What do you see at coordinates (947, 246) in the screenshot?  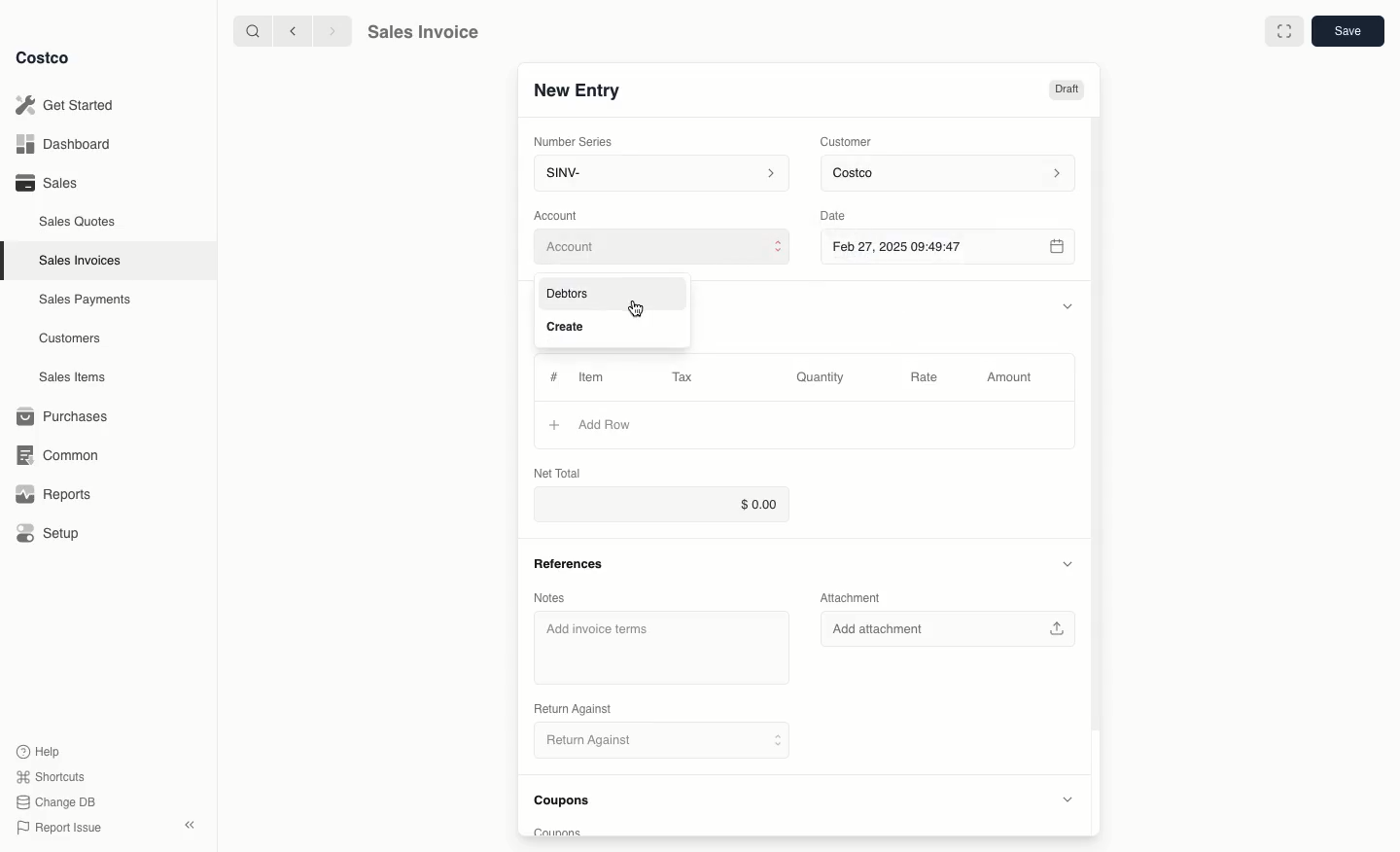 I see `Feb 27, 2025 09:49:47` at bounding box center [947, 246].